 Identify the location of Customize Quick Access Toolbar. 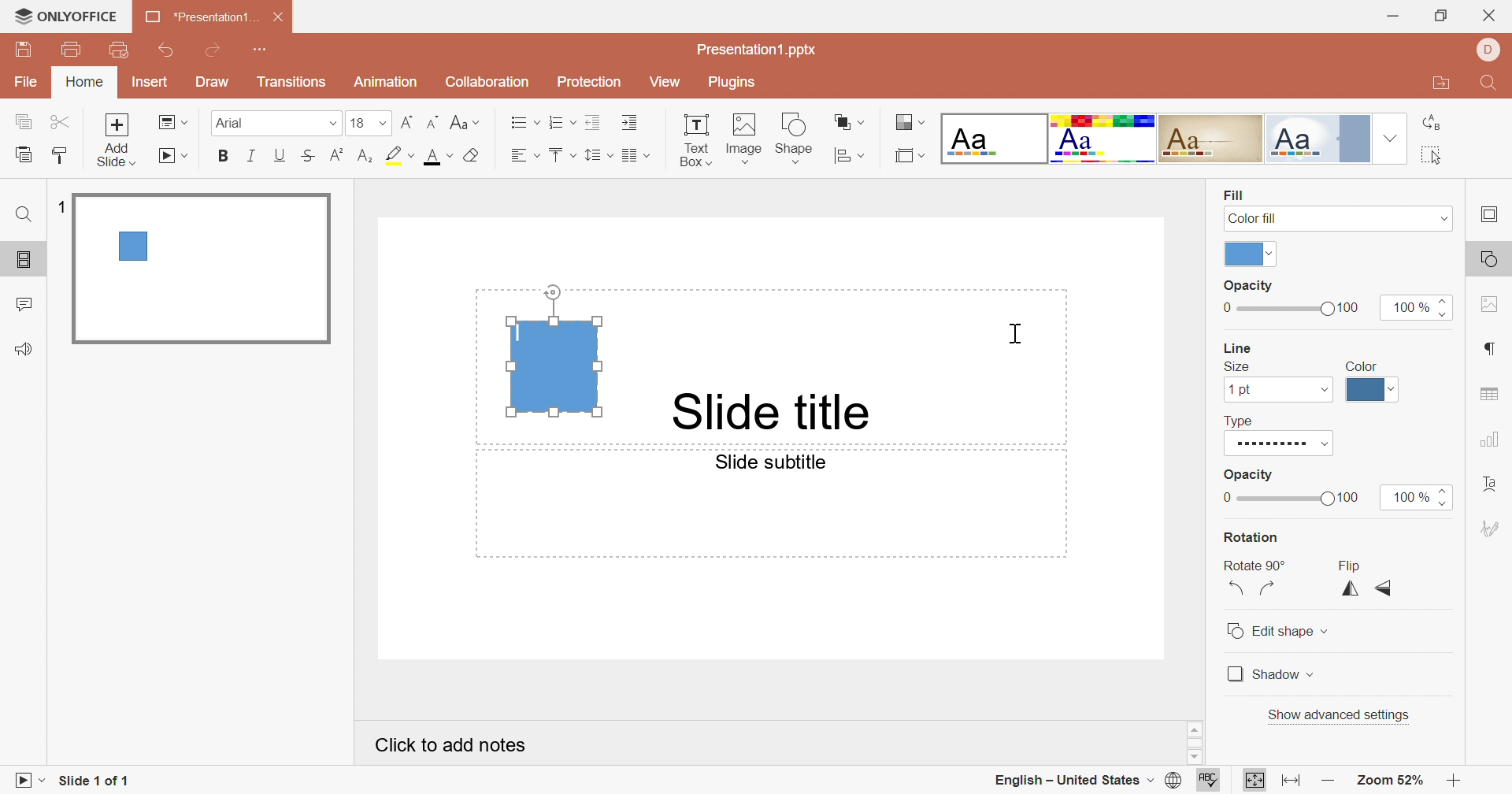
(120, 50).